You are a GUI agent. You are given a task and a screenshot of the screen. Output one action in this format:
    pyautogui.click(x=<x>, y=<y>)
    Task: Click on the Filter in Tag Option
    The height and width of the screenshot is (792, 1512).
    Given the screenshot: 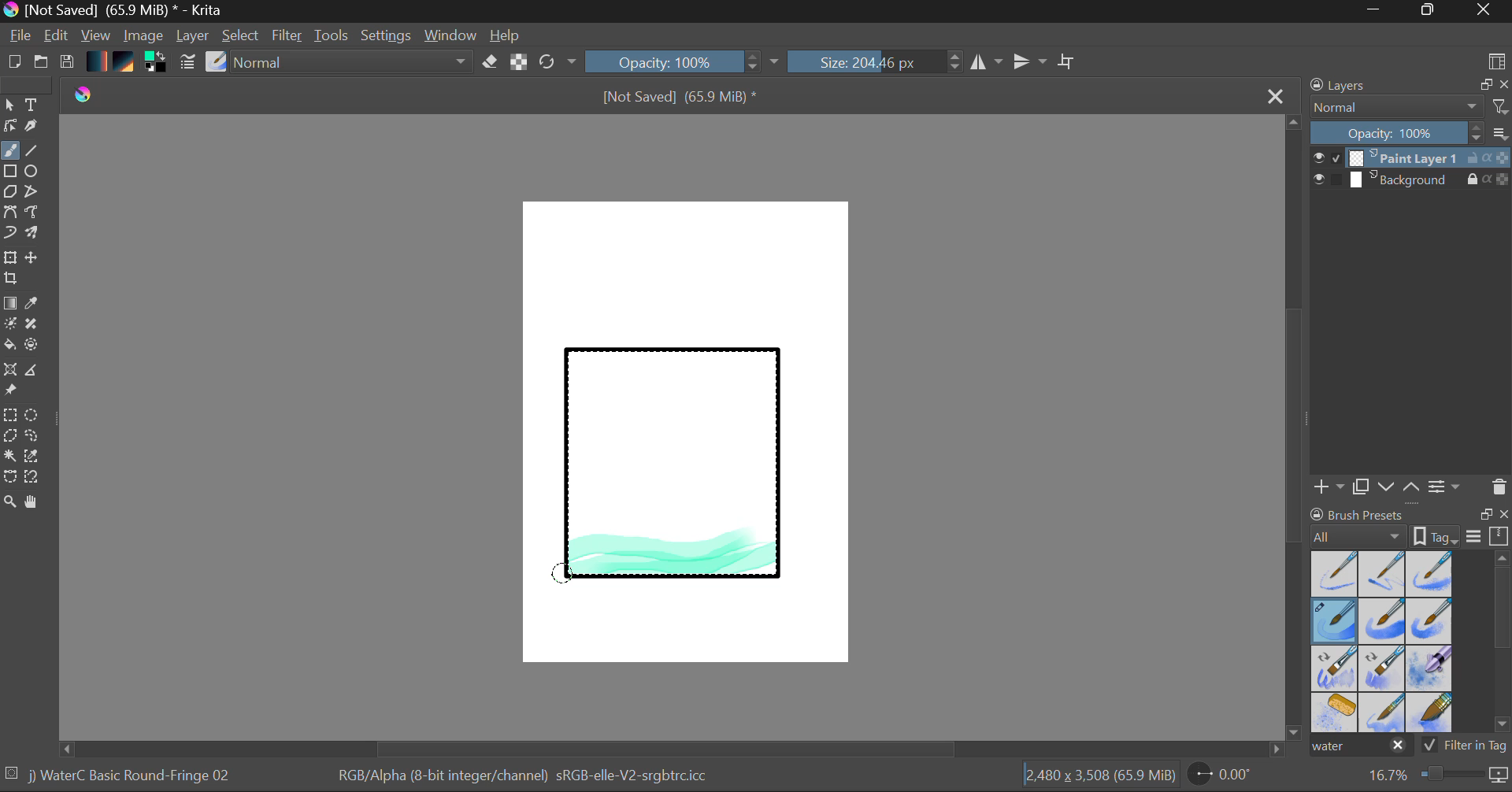 What is the action you would take?
    pyautogui.click(x=1466, y=747)
    